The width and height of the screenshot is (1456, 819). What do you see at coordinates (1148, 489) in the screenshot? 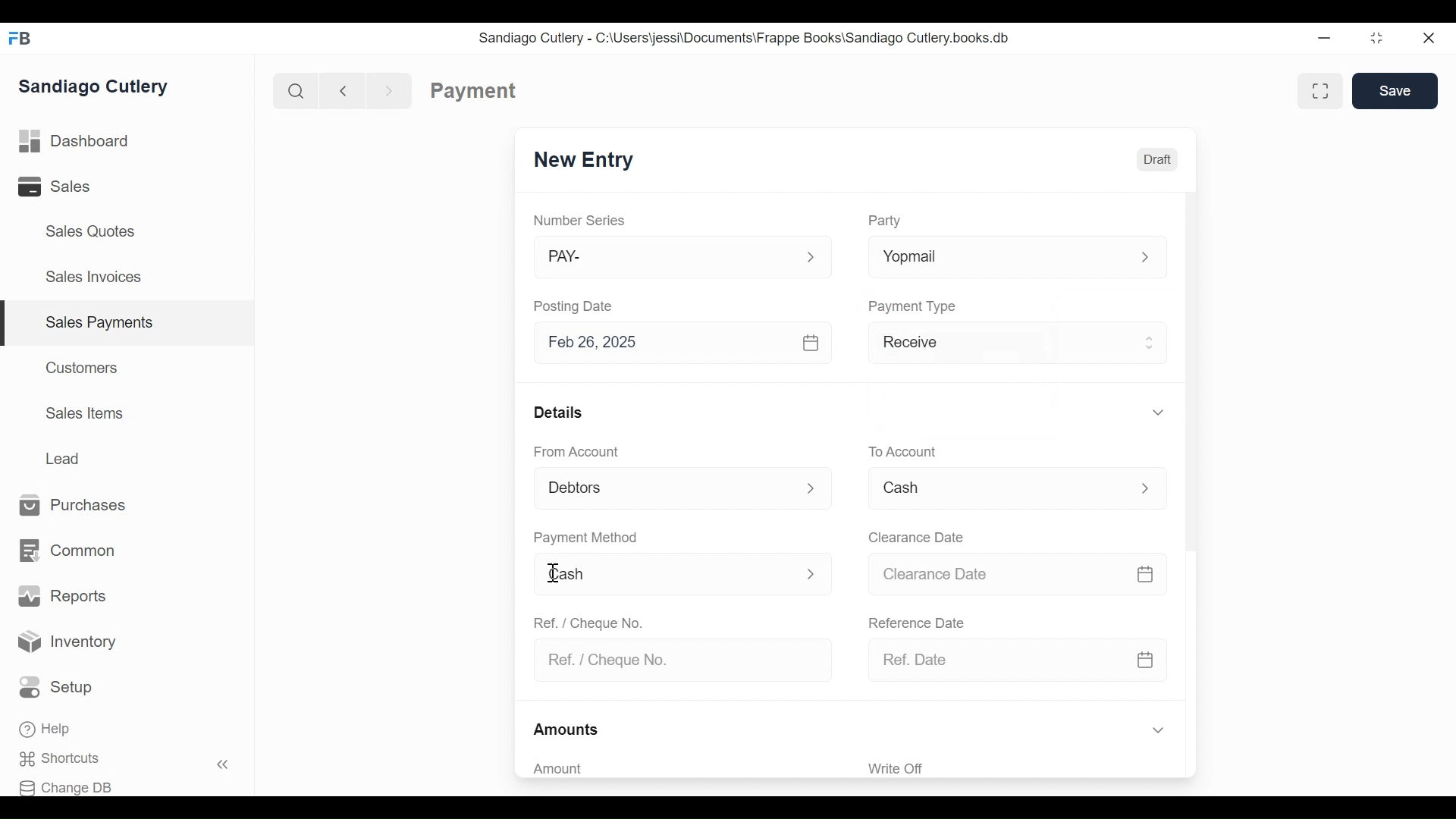
I see `Expand` at bounding box center [1148, 489].